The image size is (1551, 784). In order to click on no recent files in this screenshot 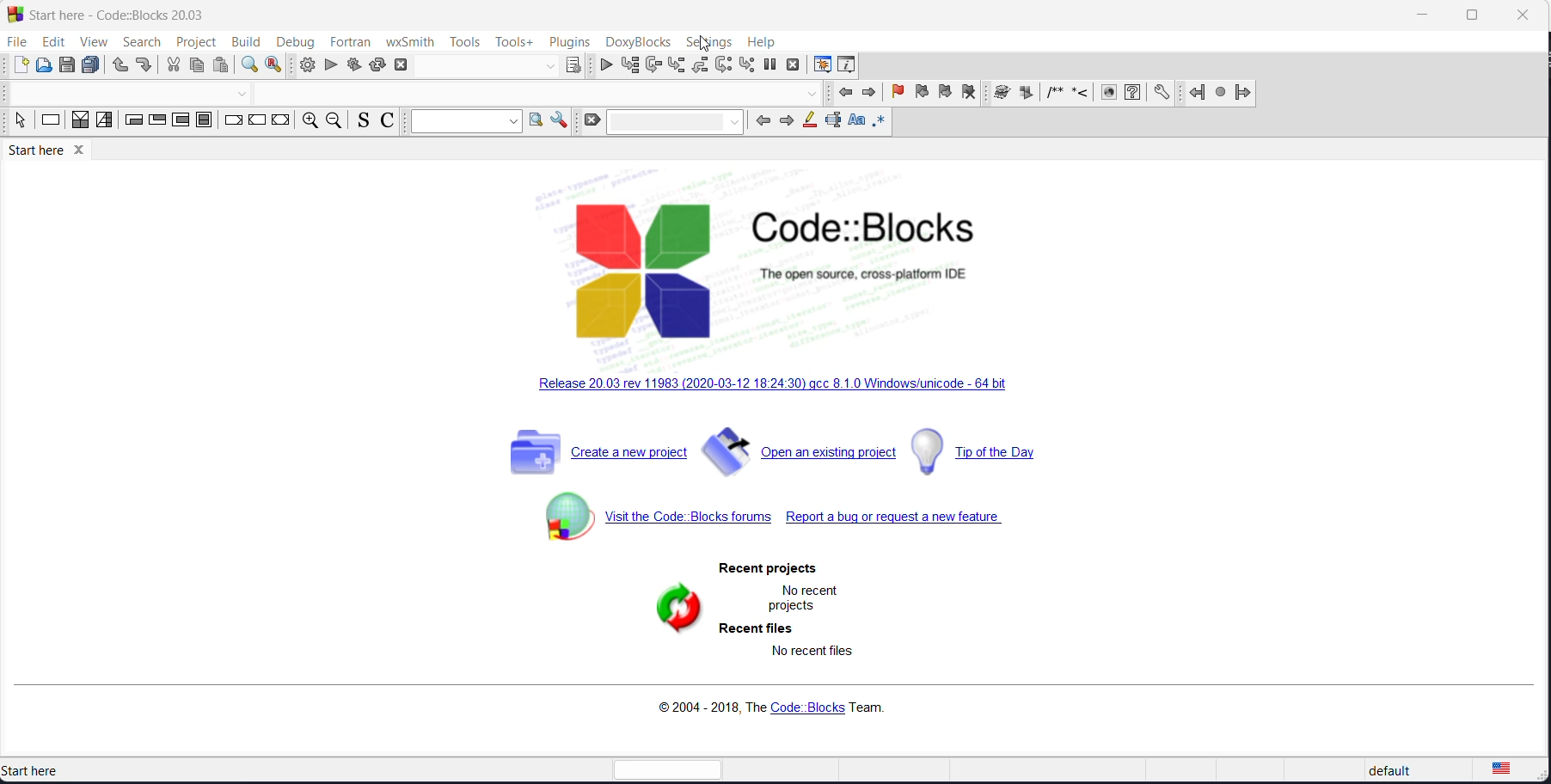, I will do `click(817, 651)`.